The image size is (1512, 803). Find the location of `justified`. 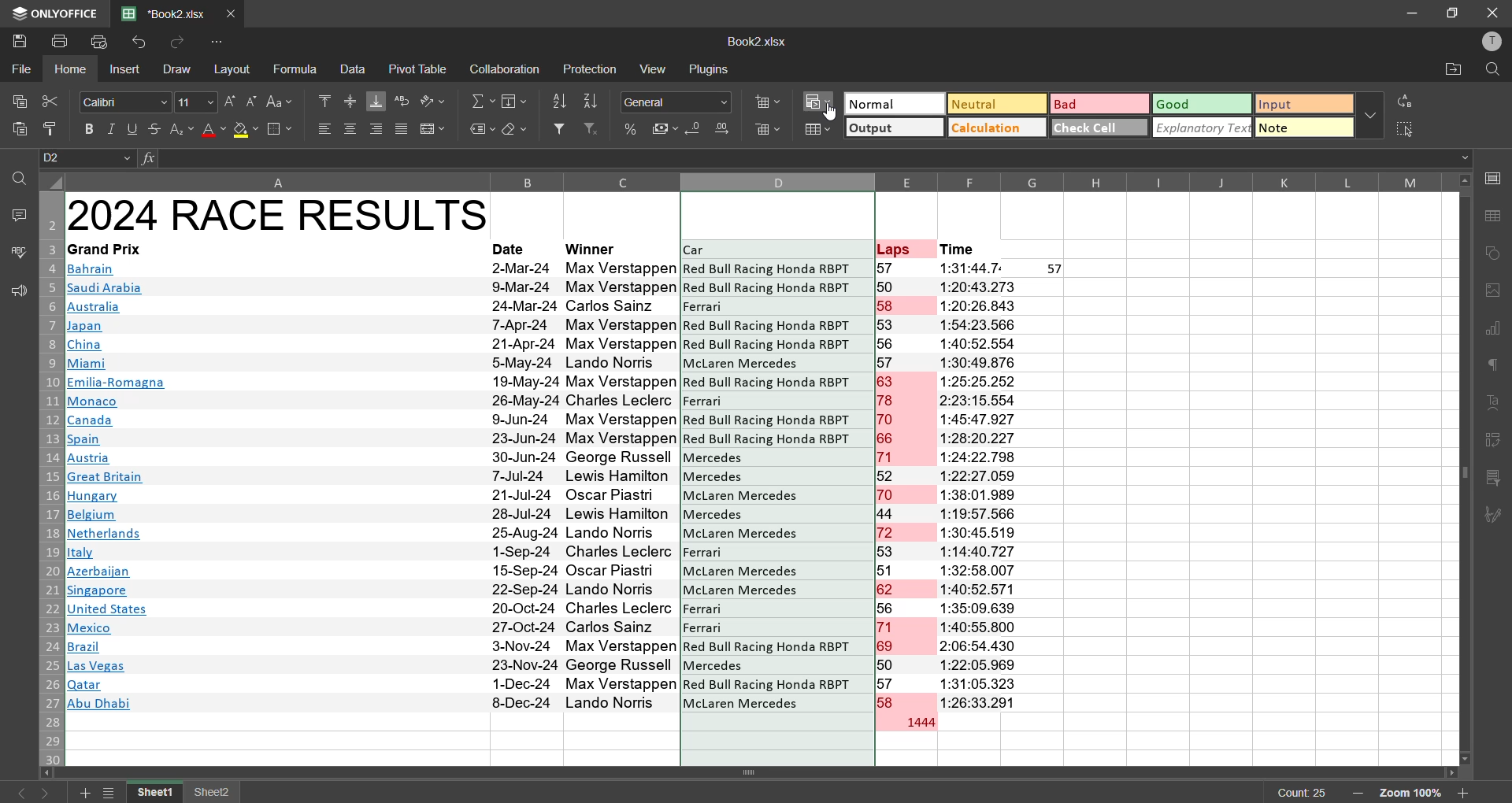

justified is located at coordinates (402, 131).